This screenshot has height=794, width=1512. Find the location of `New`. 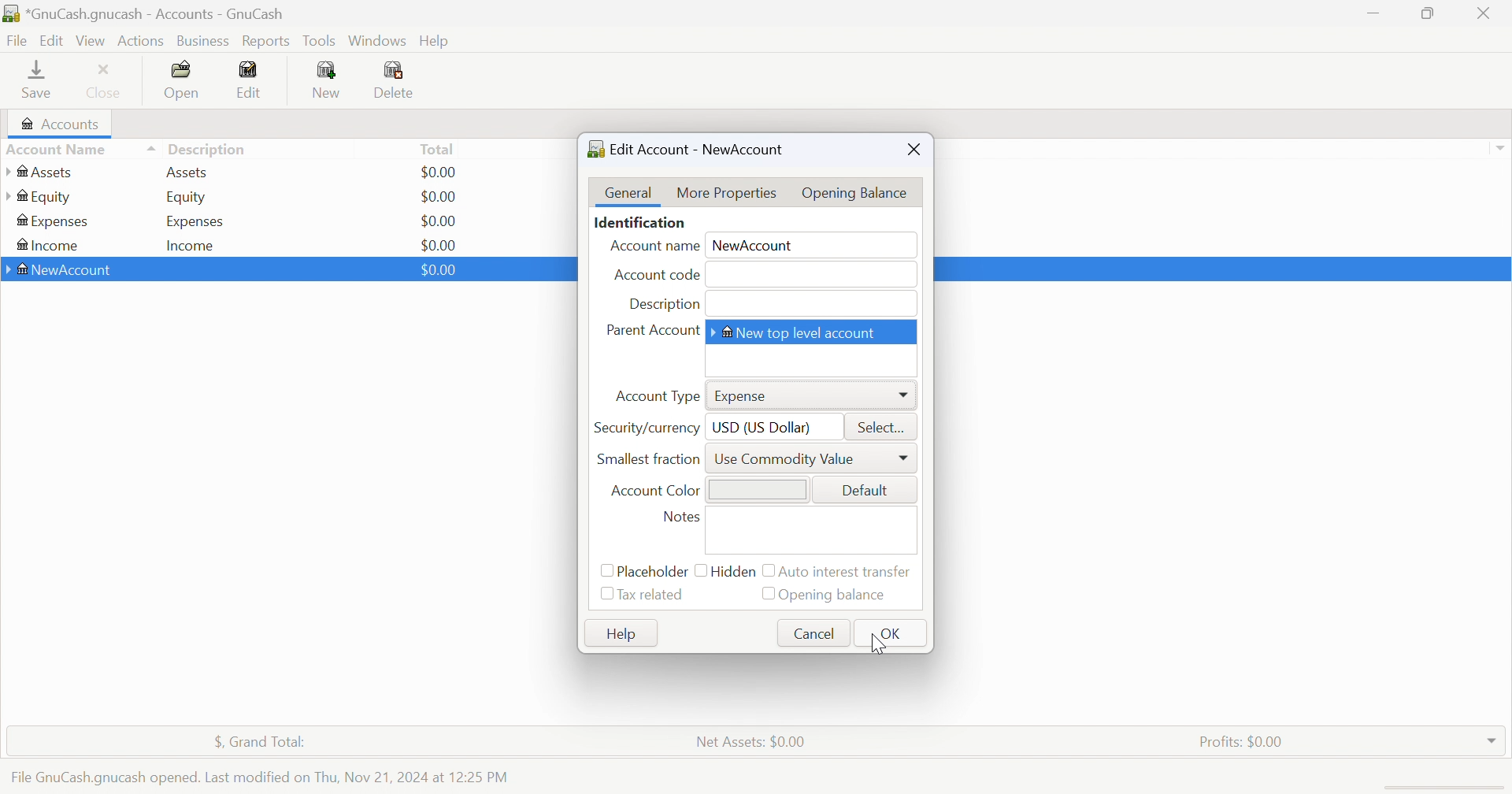

New is located at coordinates (325, 79).